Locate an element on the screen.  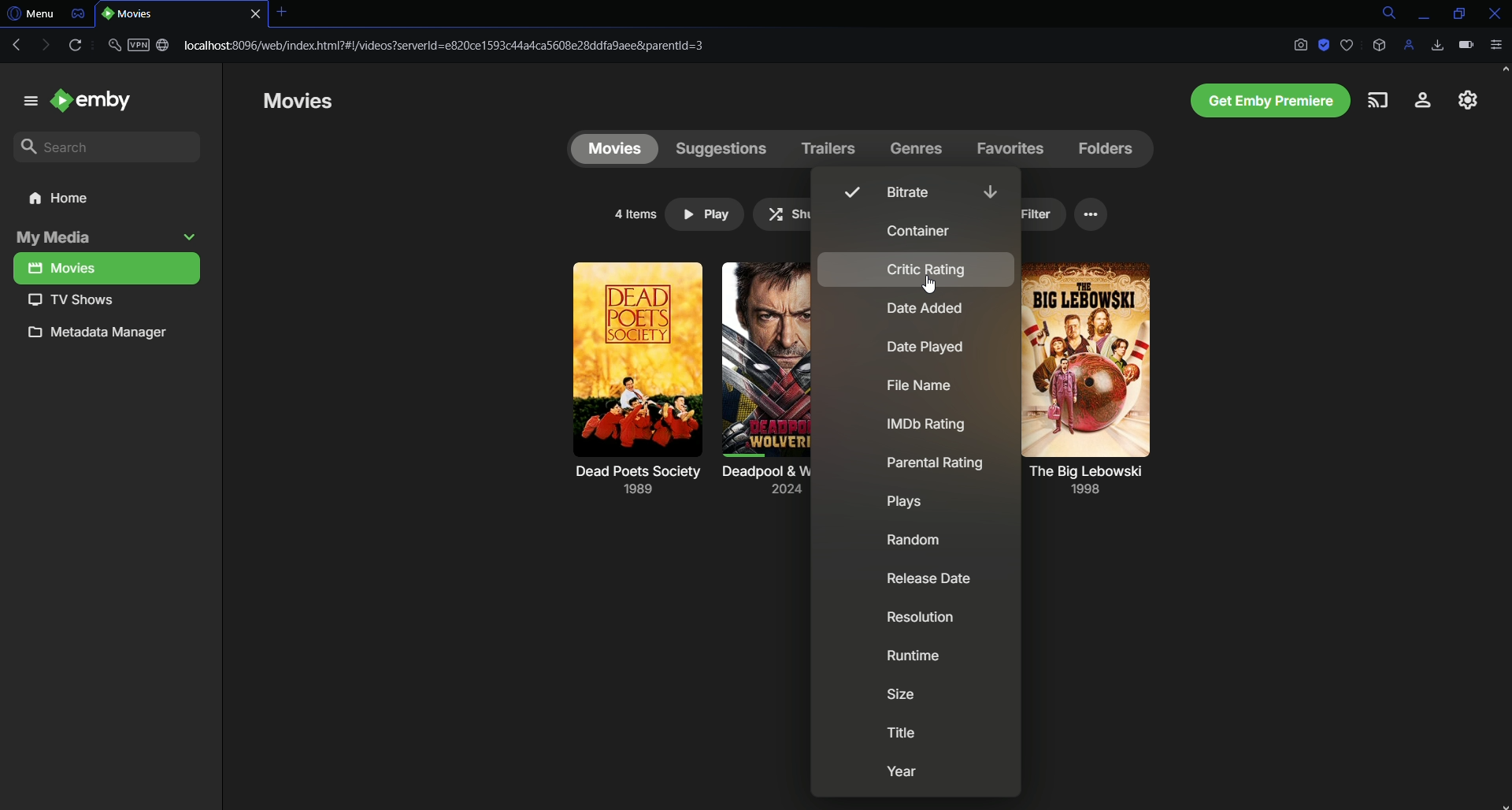
Search is located at coordinates (1380, 13).